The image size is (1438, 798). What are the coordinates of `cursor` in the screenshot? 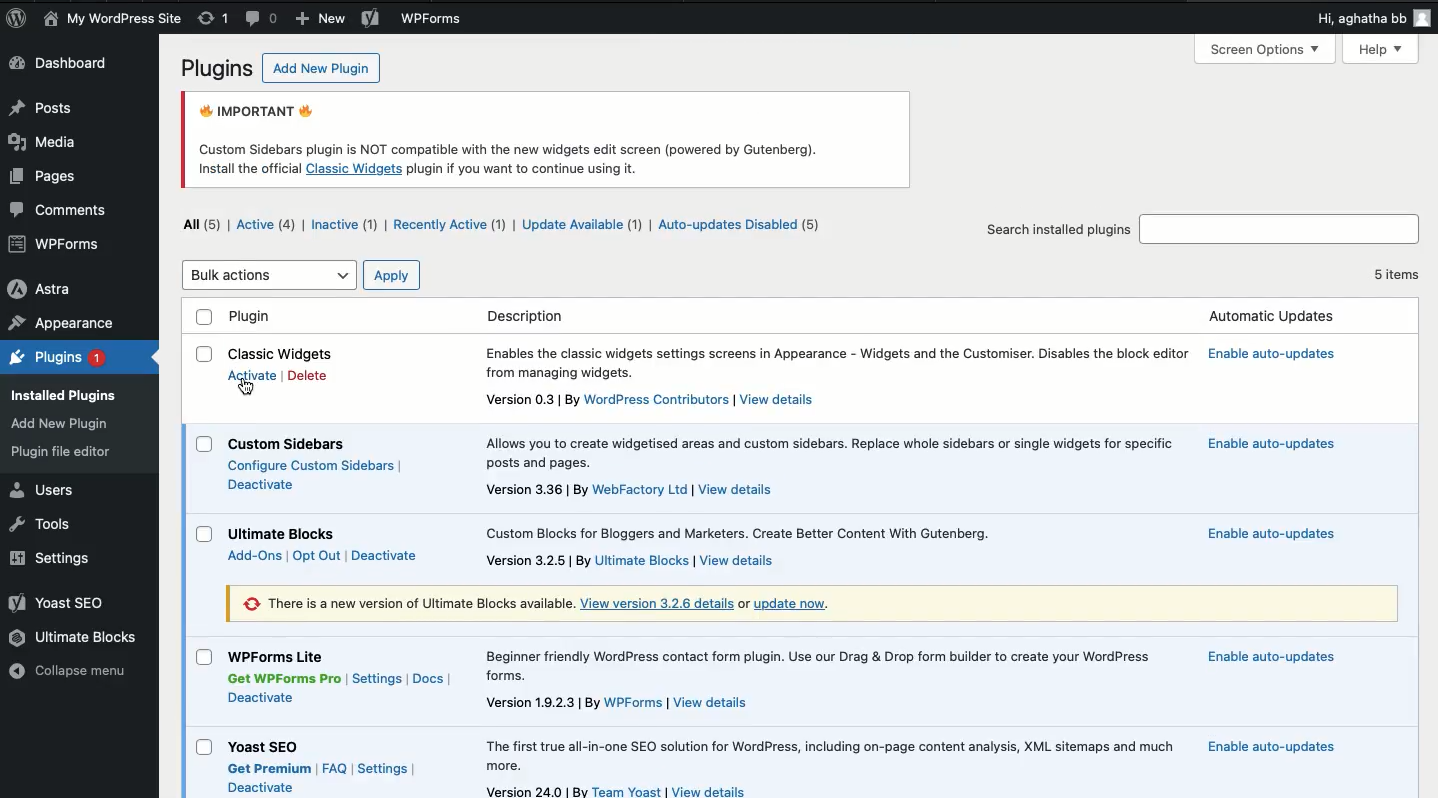 It's located at (247, 385).